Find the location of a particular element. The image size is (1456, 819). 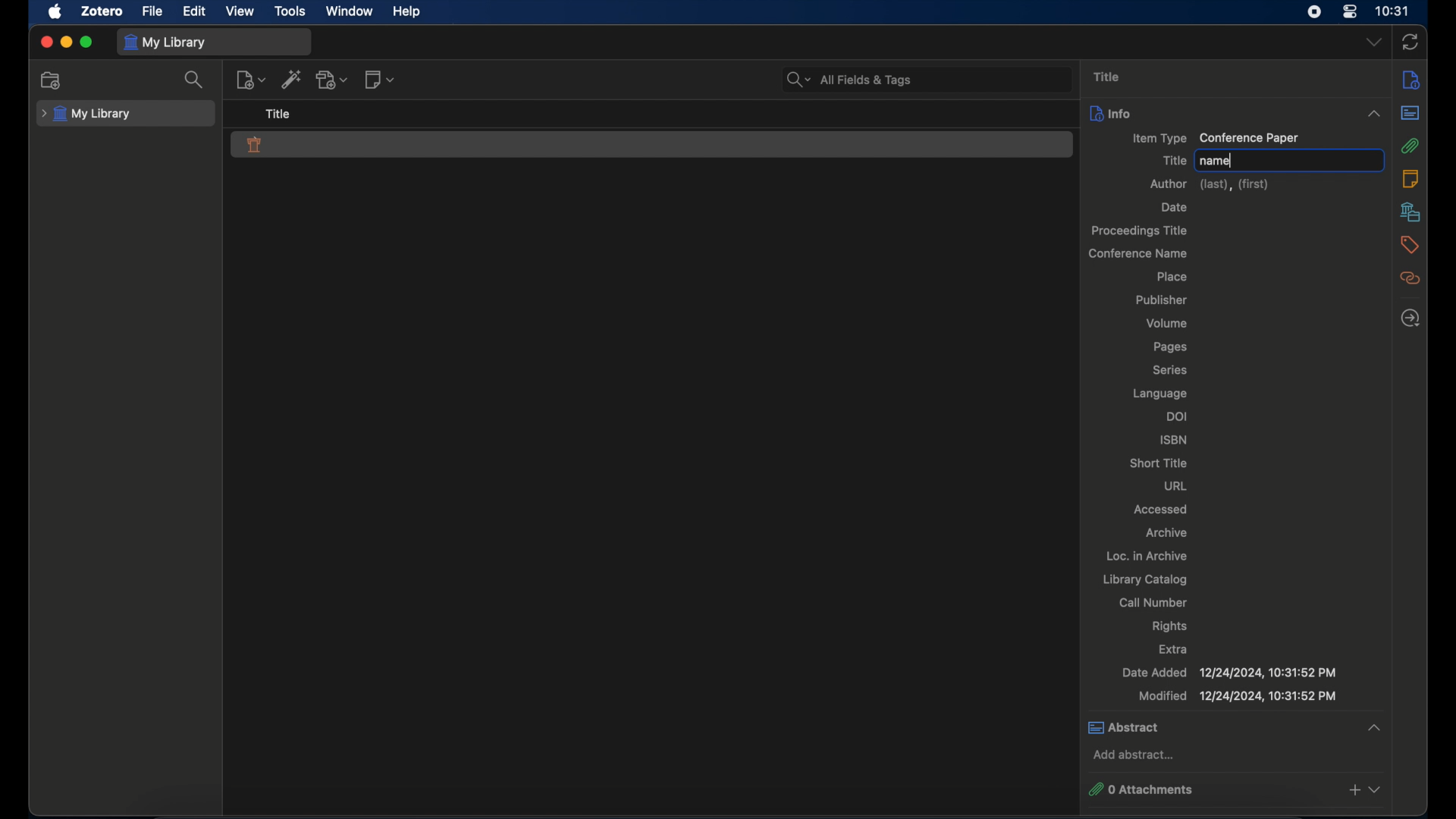

search is located at coordinates (194, 80).